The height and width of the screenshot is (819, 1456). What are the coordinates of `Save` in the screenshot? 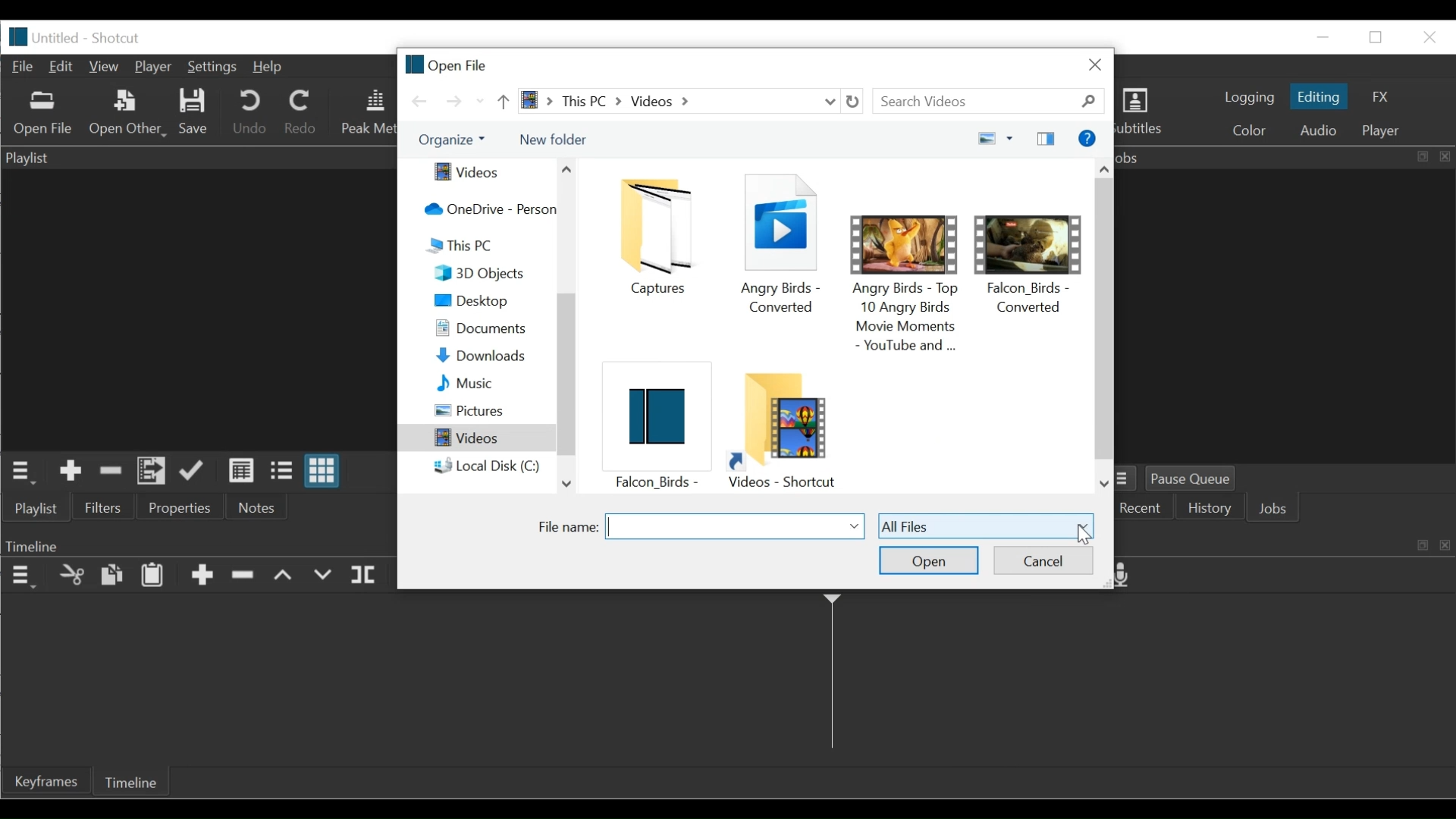 It's located at (192, 114).